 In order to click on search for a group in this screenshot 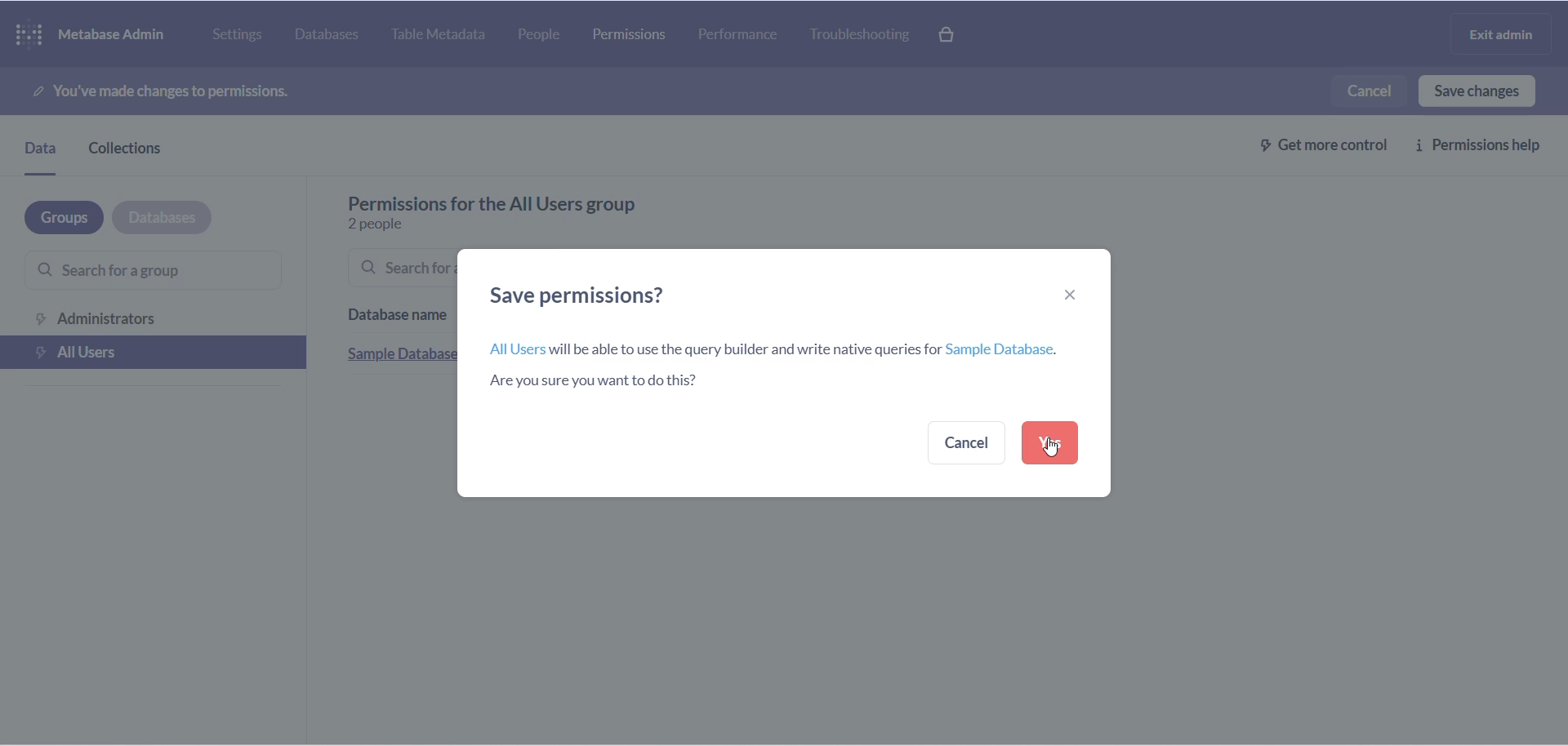, I will do `click(138, 272)`.